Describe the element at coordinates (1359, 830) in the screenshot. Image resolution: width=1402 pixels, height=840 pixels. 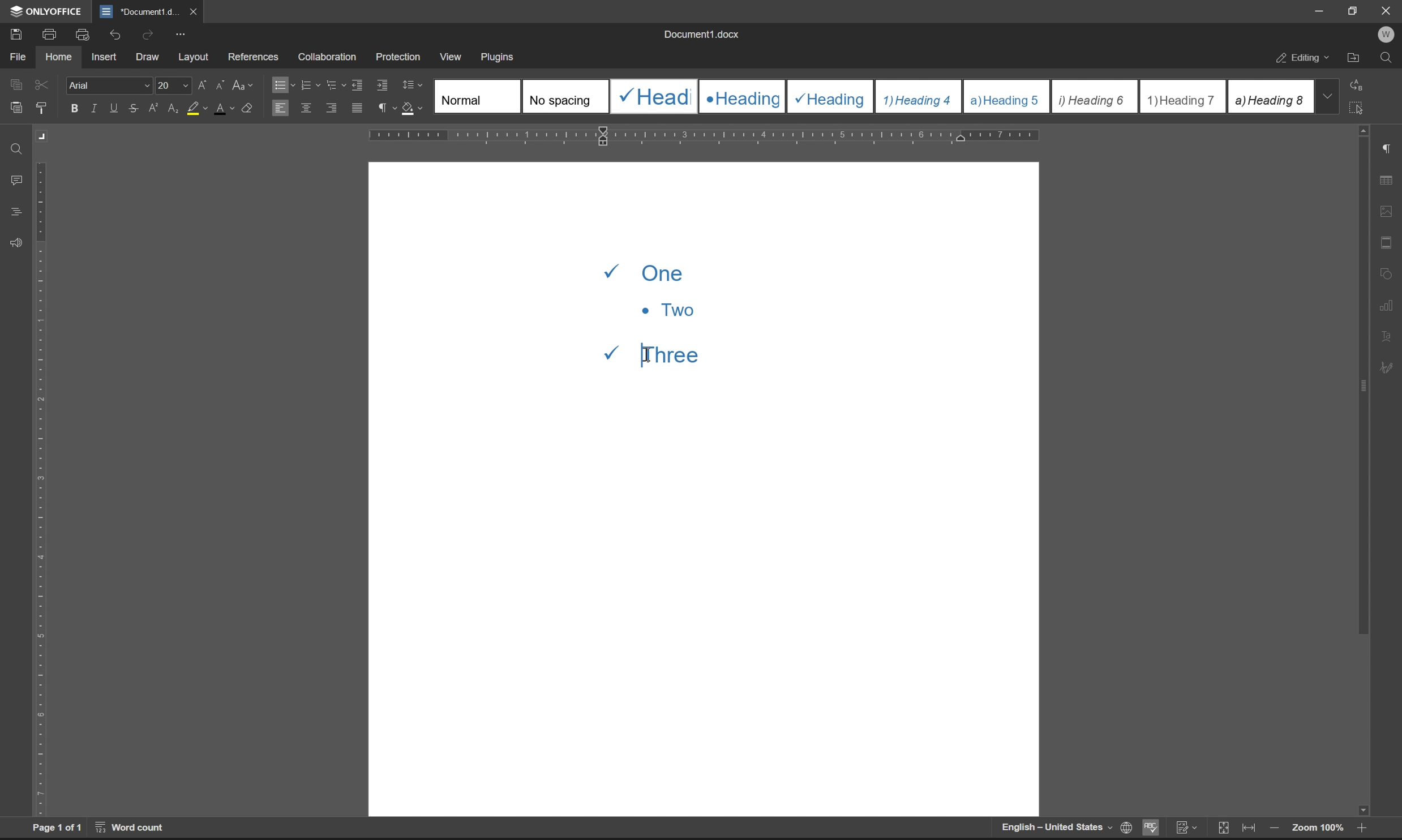
I see `zoom in` at that location.